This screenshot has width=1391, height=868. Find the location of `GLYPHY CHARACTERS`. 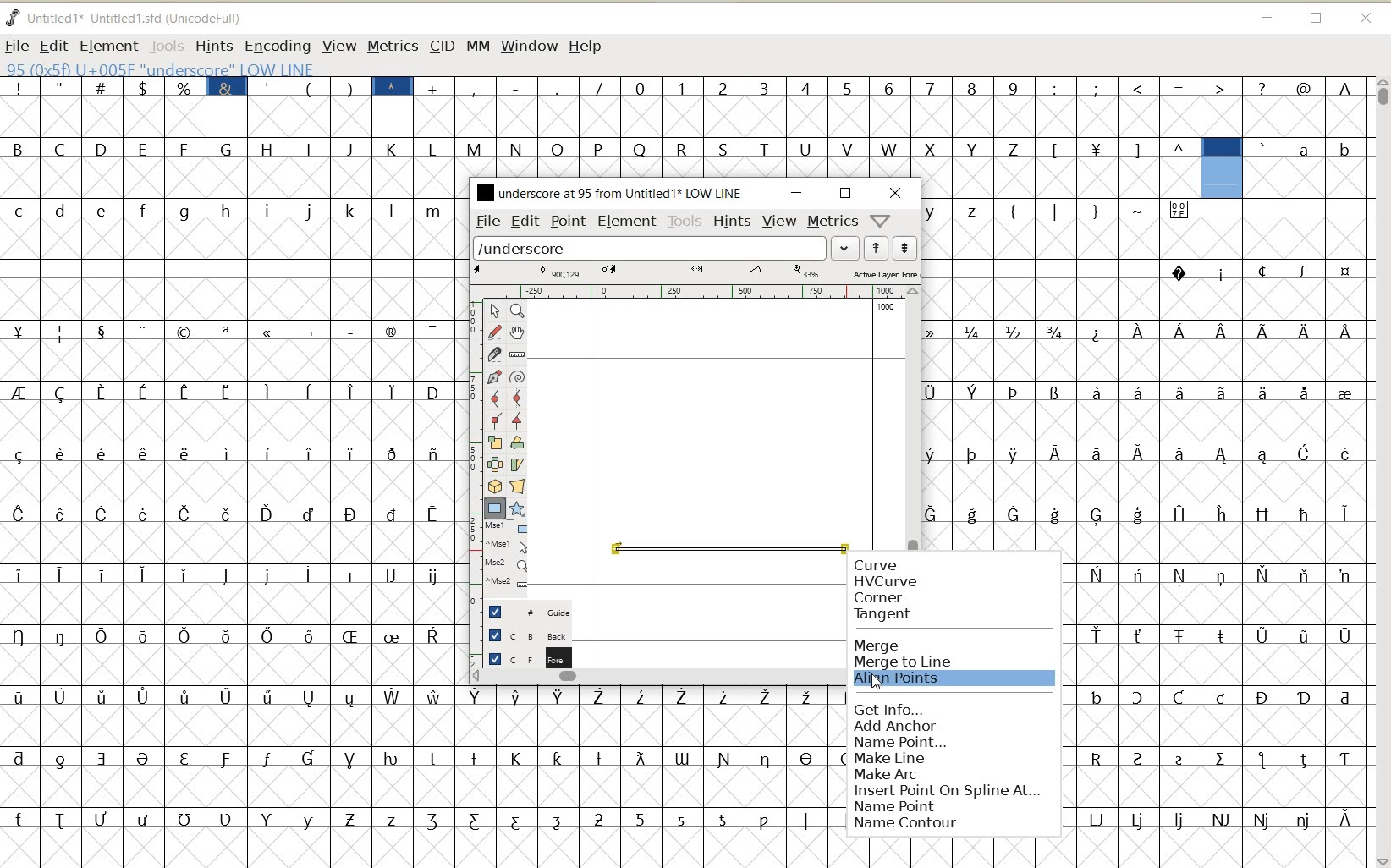

GLYPHY CHARACTERS is located at coordinates (689, 151).